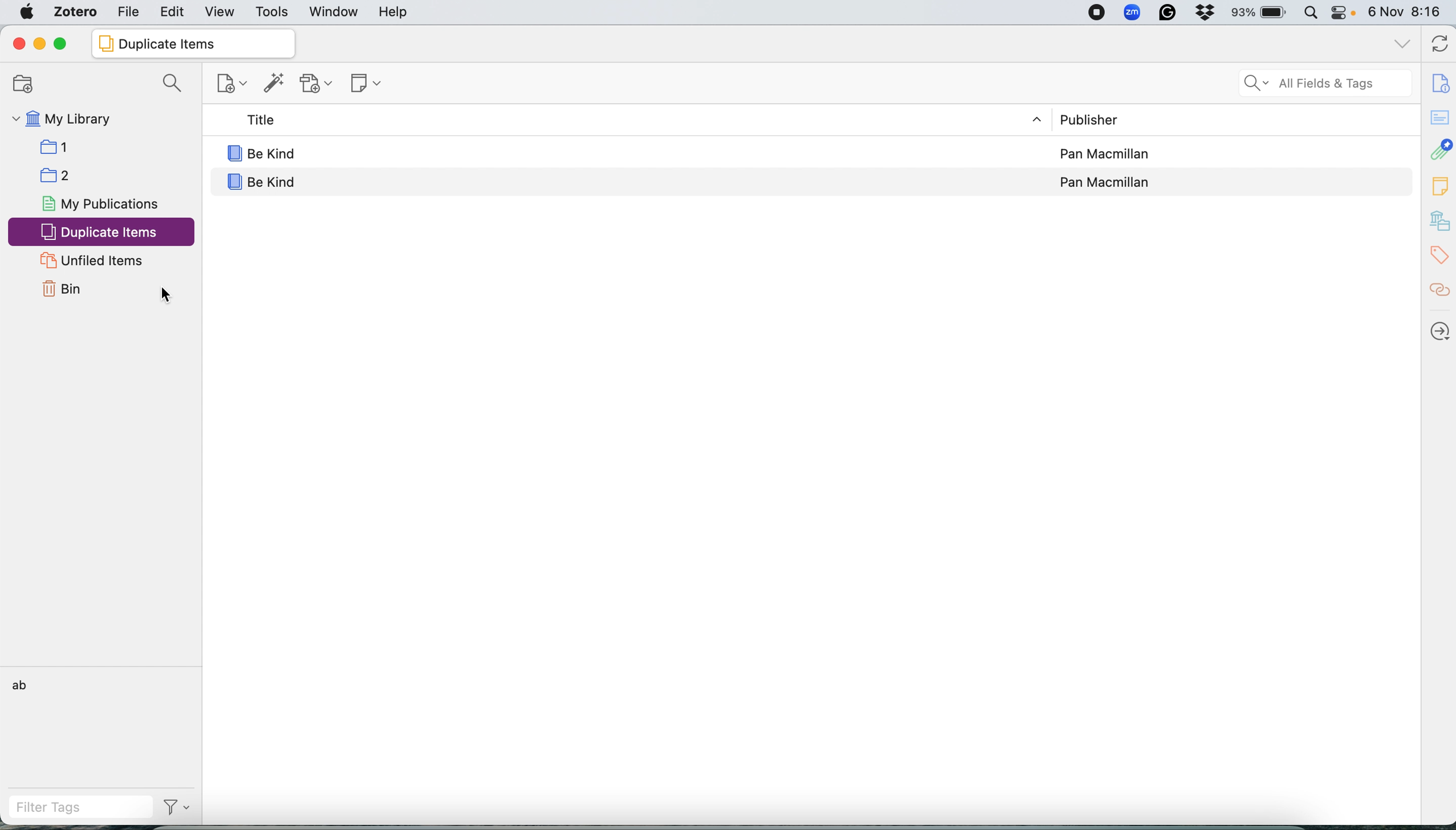  I want to click on collapse all tabs, so click(1400, 42).